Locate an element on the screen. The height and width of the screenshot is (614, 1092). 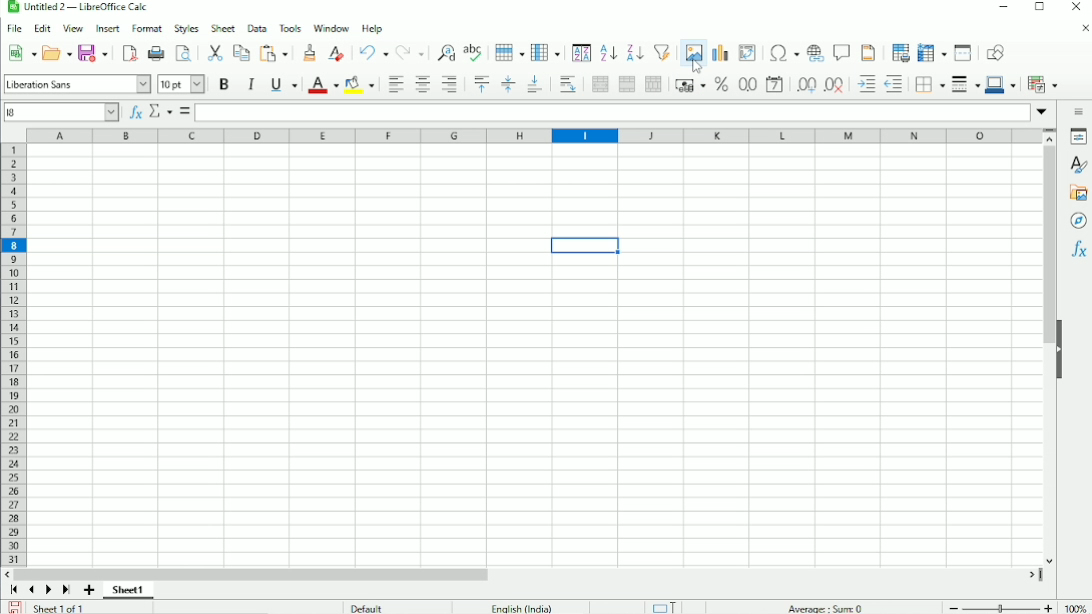
Sidebar  settings is located at coordinates (1078, 113).